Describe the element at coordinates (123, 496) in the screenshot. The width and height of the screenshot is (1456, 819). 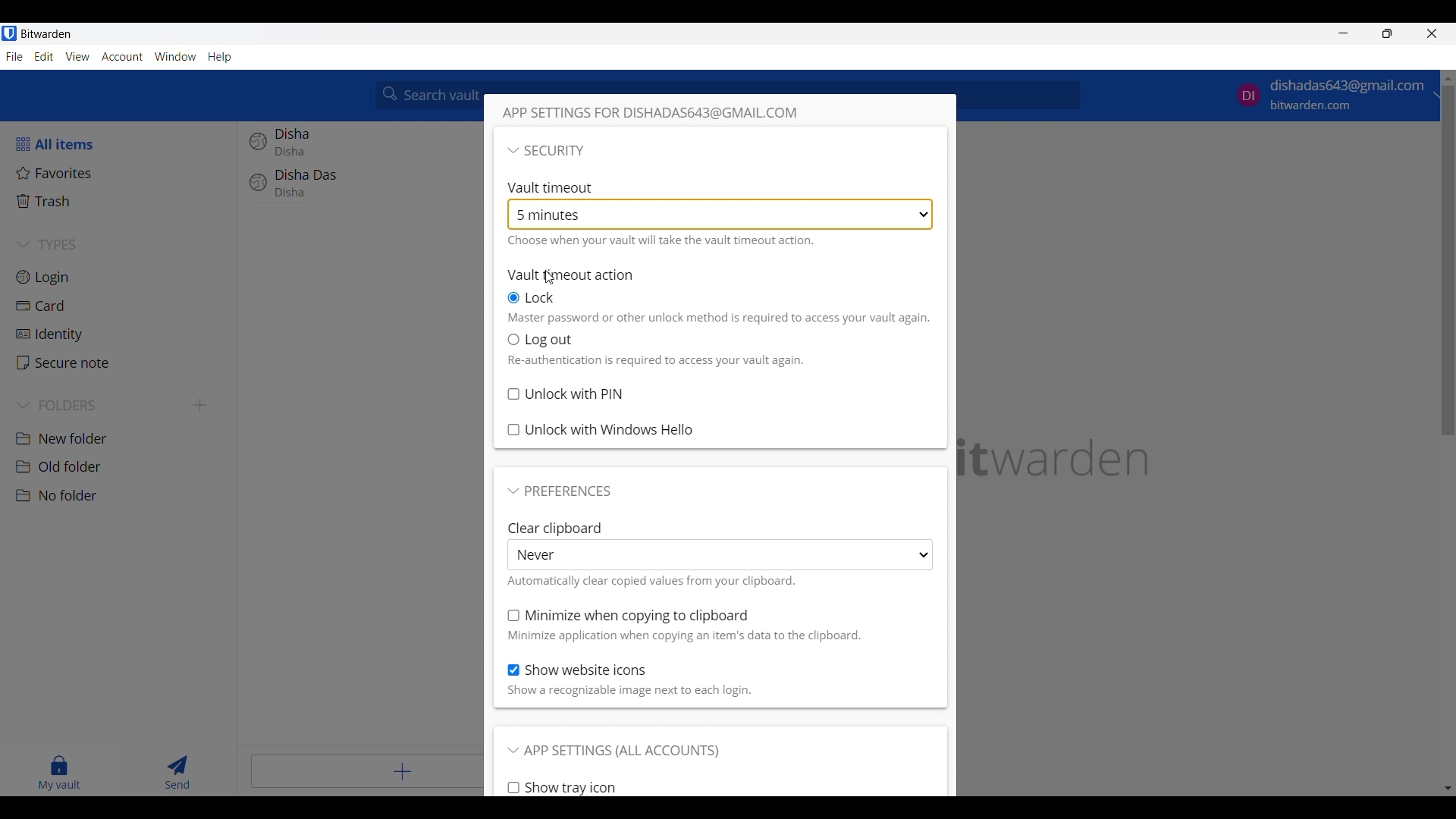
I see `No folder` at that location.